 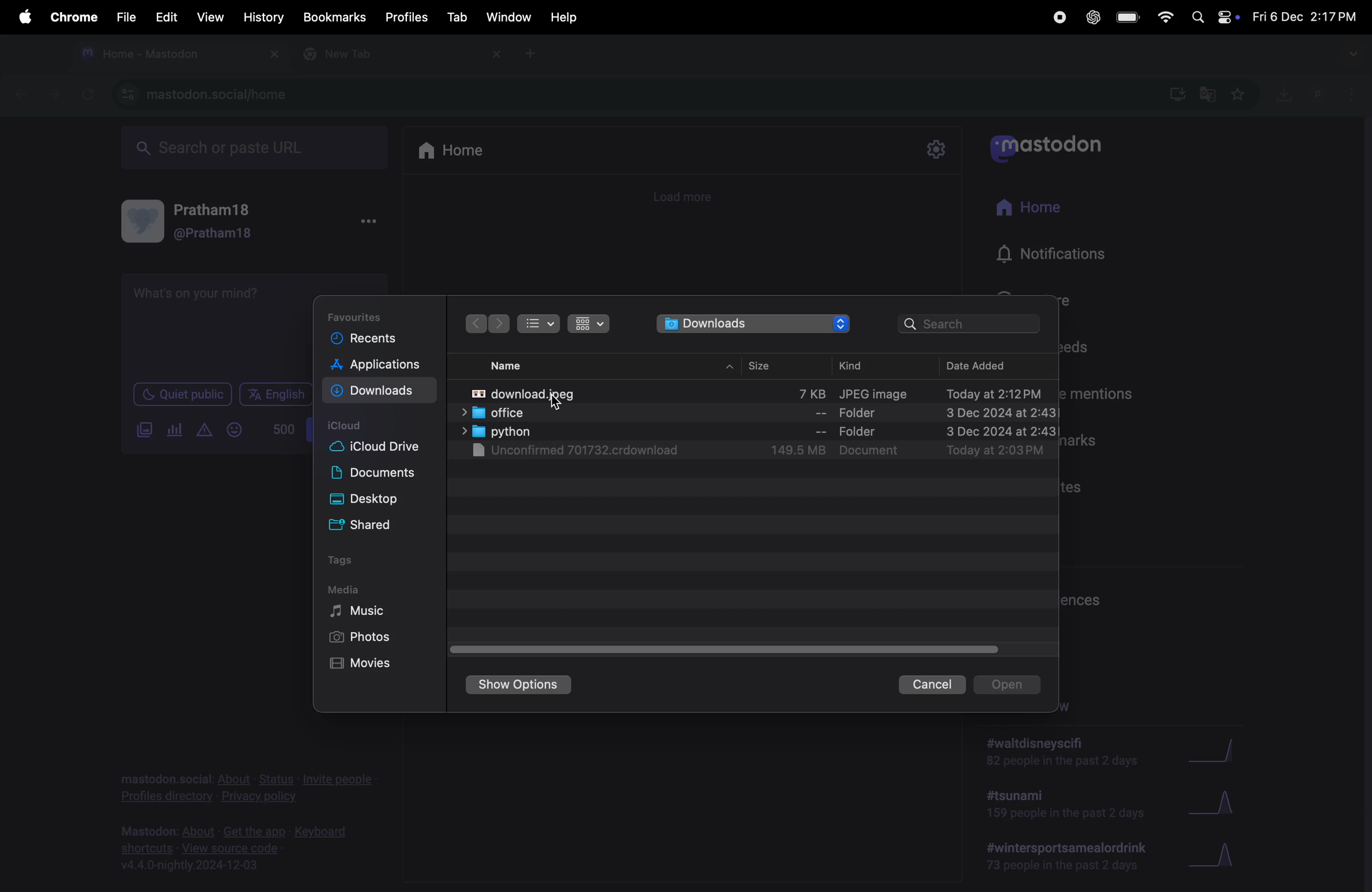 I want to click on drop down, so click(x=1355, y=55).